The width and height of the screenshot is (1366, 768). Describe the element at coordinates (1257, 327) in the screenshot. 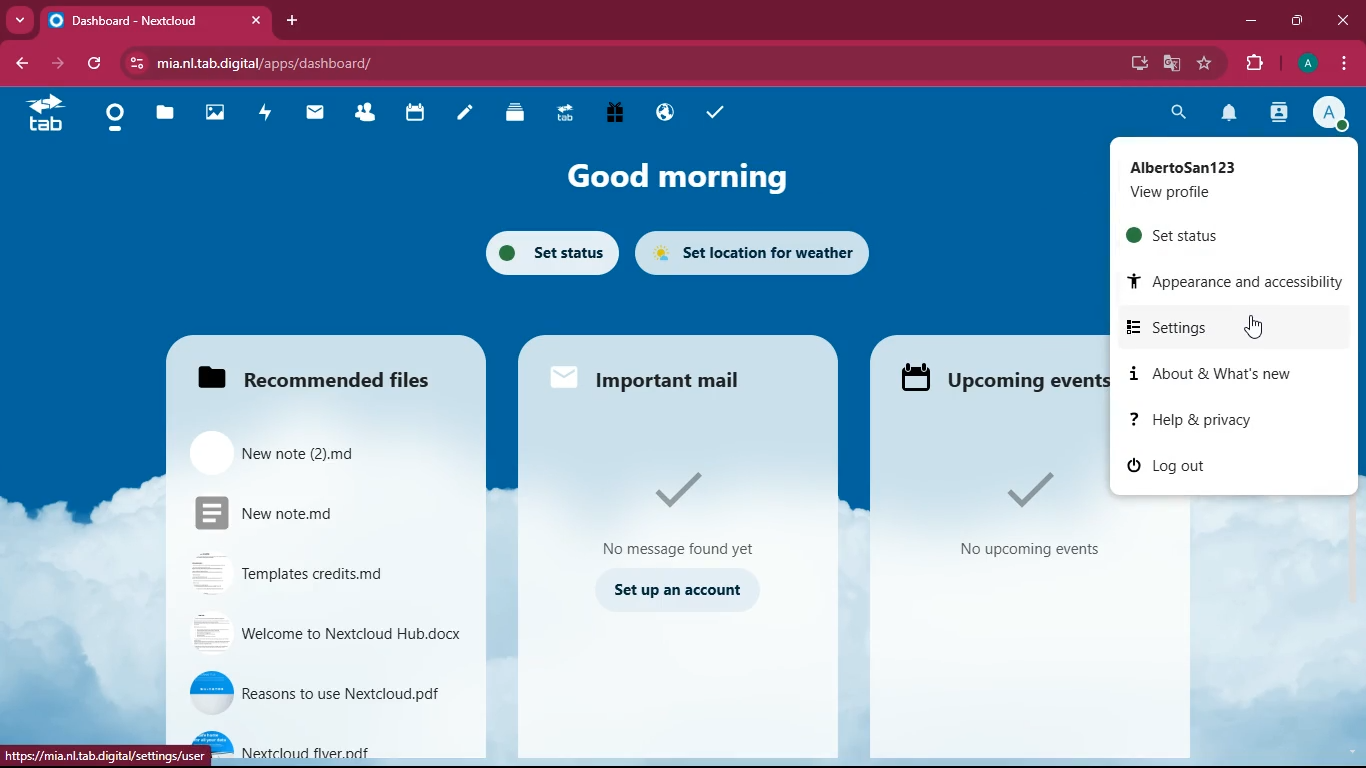

I see `Cursor` at that location.